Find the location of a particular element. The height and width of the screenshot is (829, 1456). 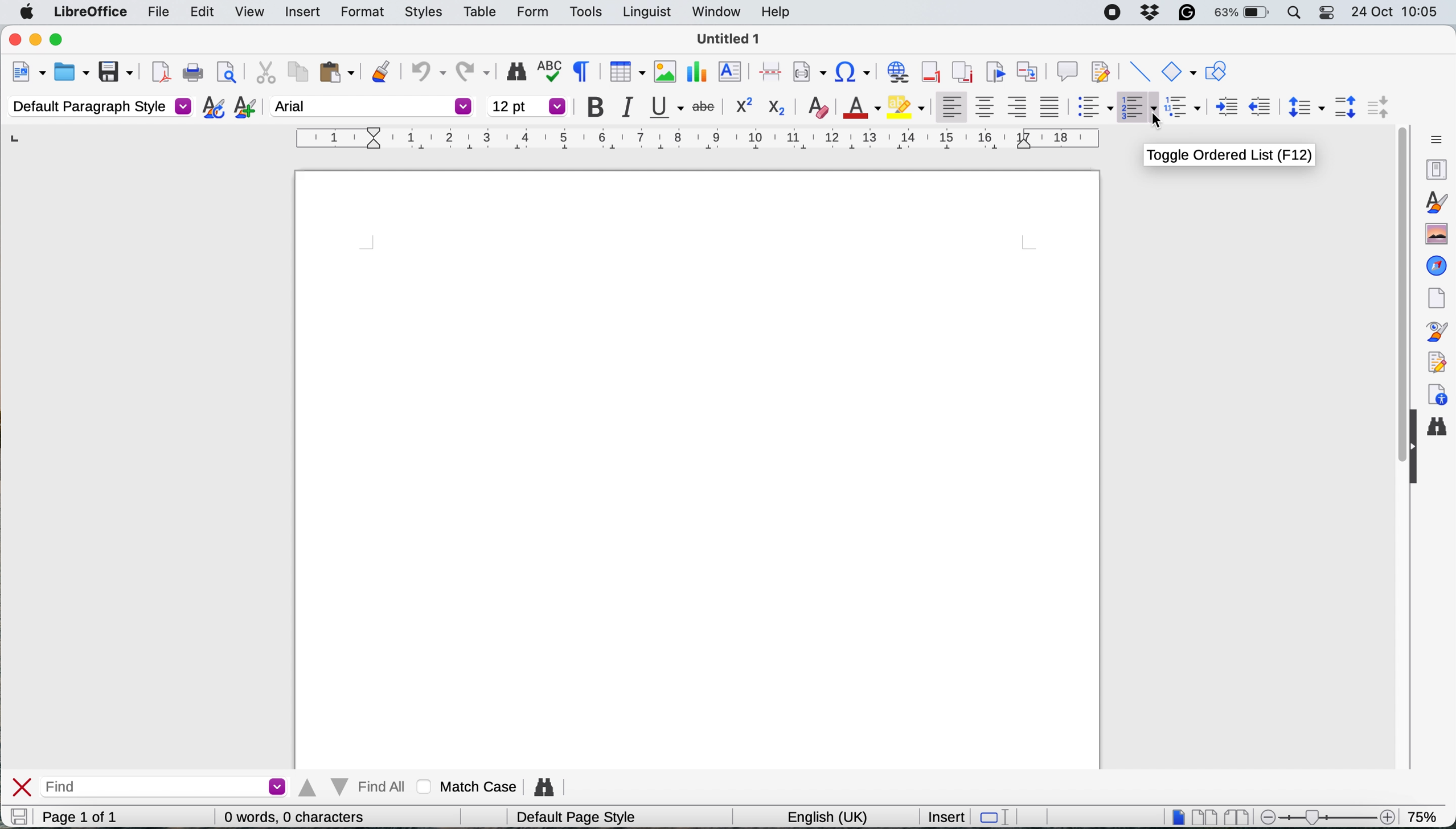

insert is located at coordinates (302, 11).